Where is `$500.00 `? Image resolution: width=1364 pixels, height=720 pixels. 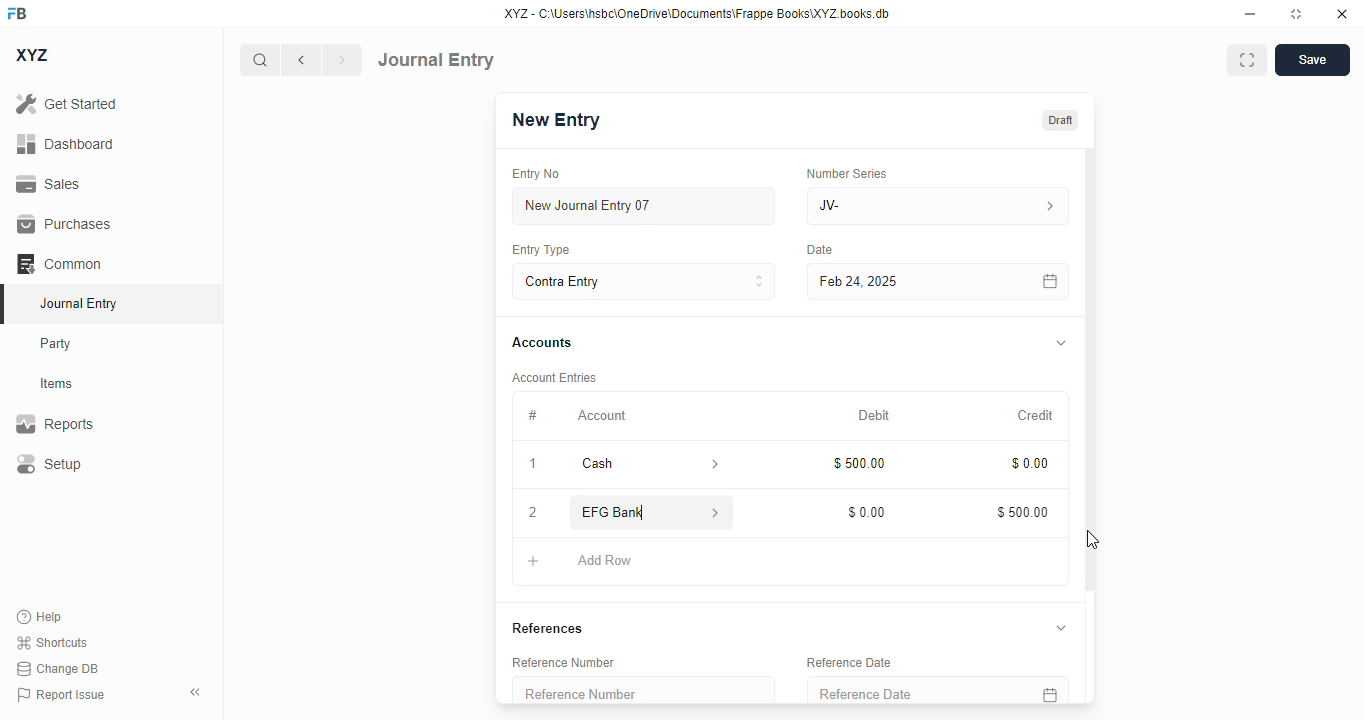
$500.00  is located at coordinates (860, 464).